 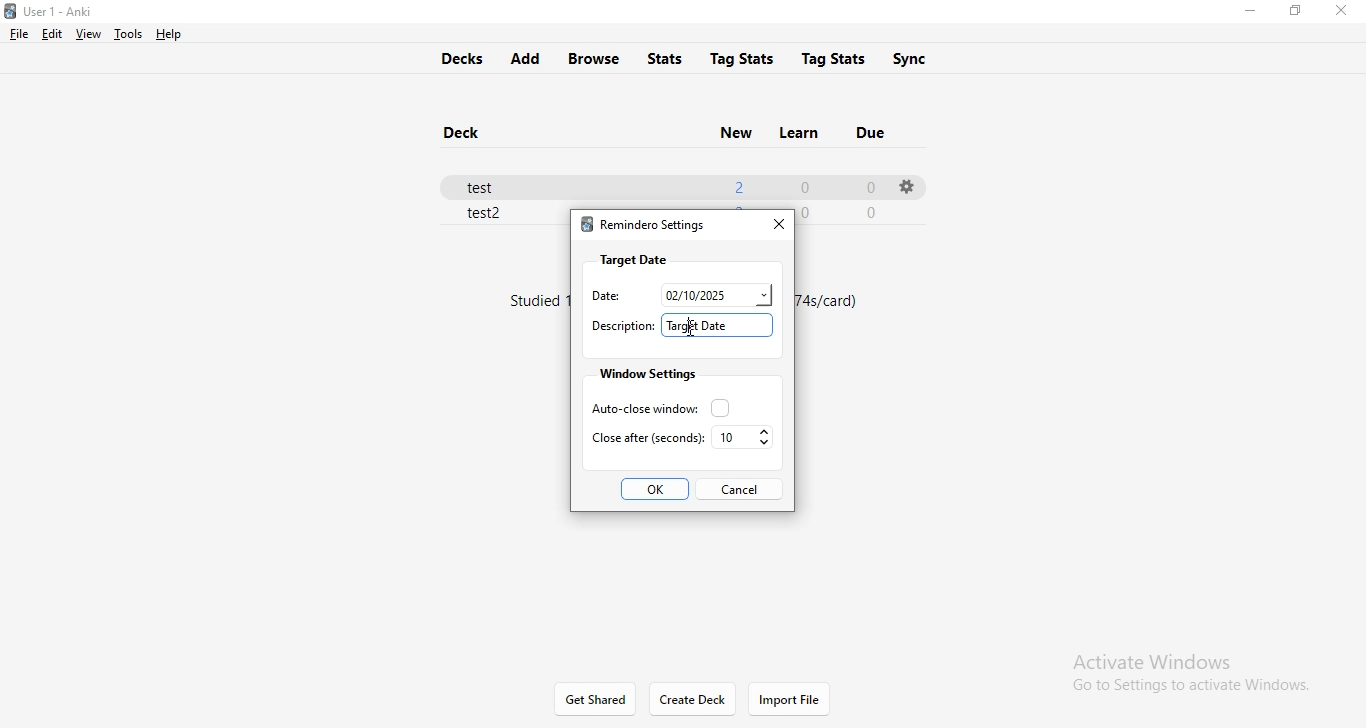 I want to click on stats, so click(x=669, y=56).